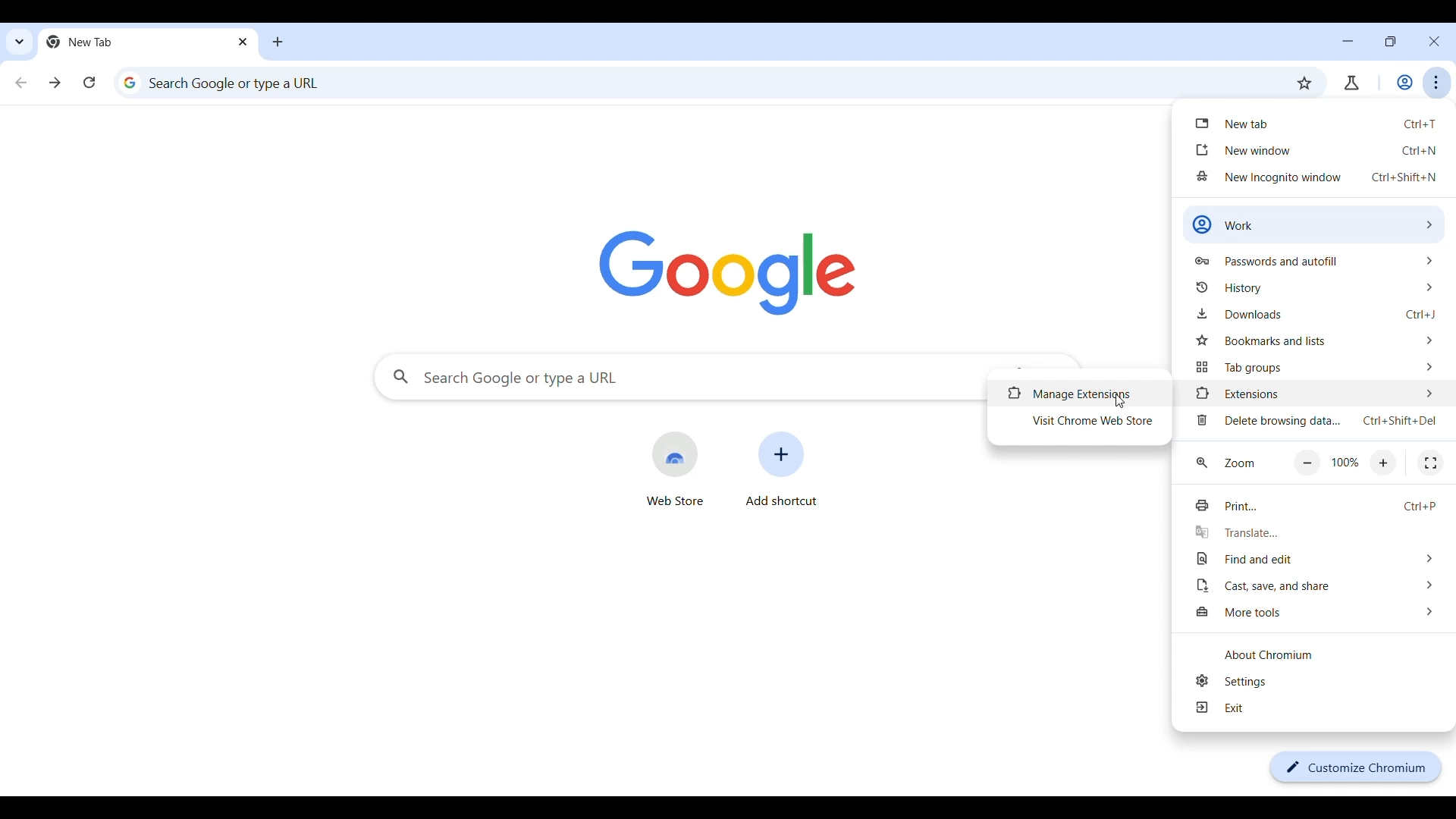  Describe the element at coordinates (1321, 654) in the screenshot. I see `Know more about Chromium` at that location.